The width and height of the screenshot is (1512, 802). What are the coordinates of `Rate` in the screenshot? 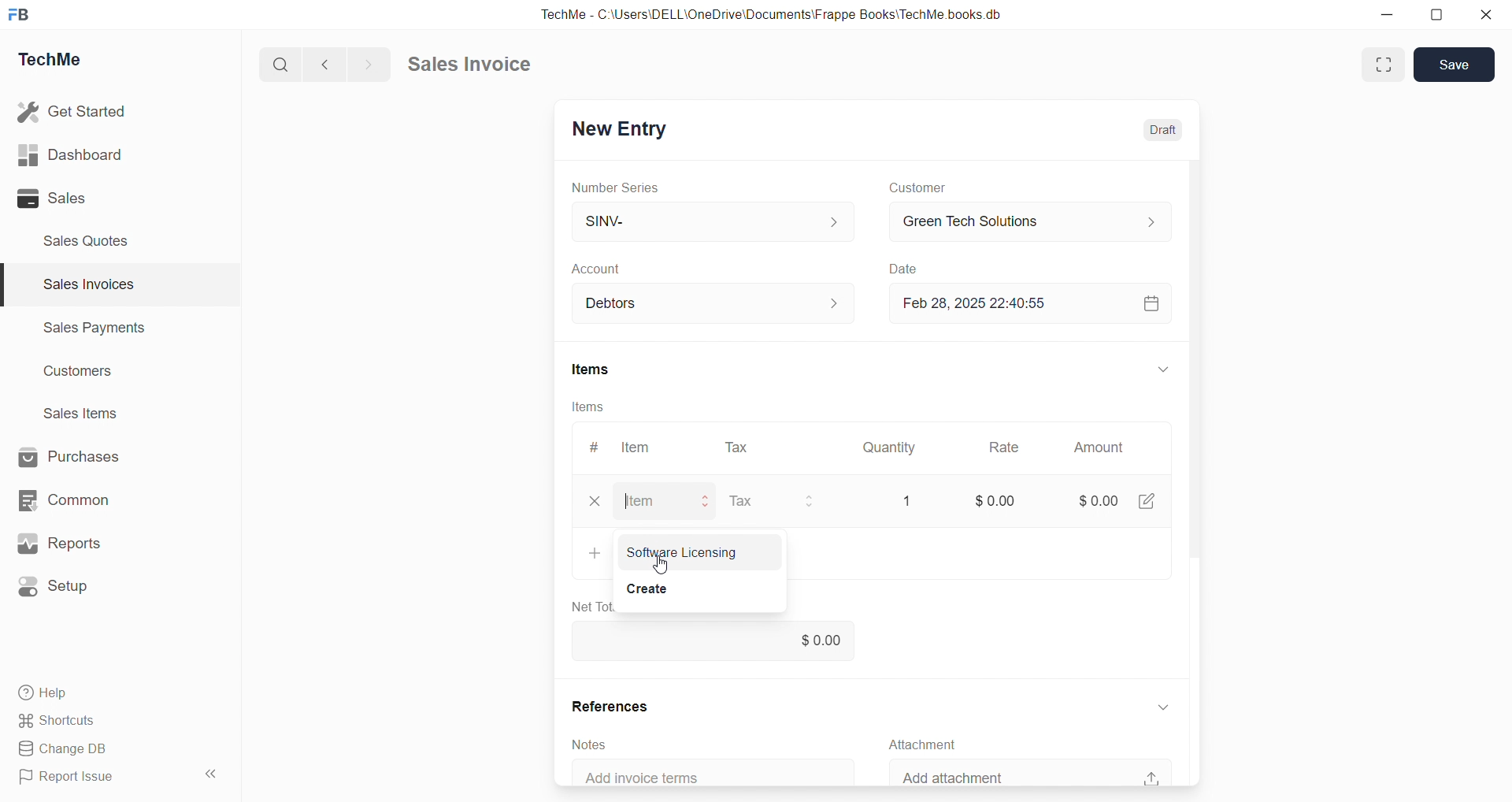 It's located at (1006, 447).